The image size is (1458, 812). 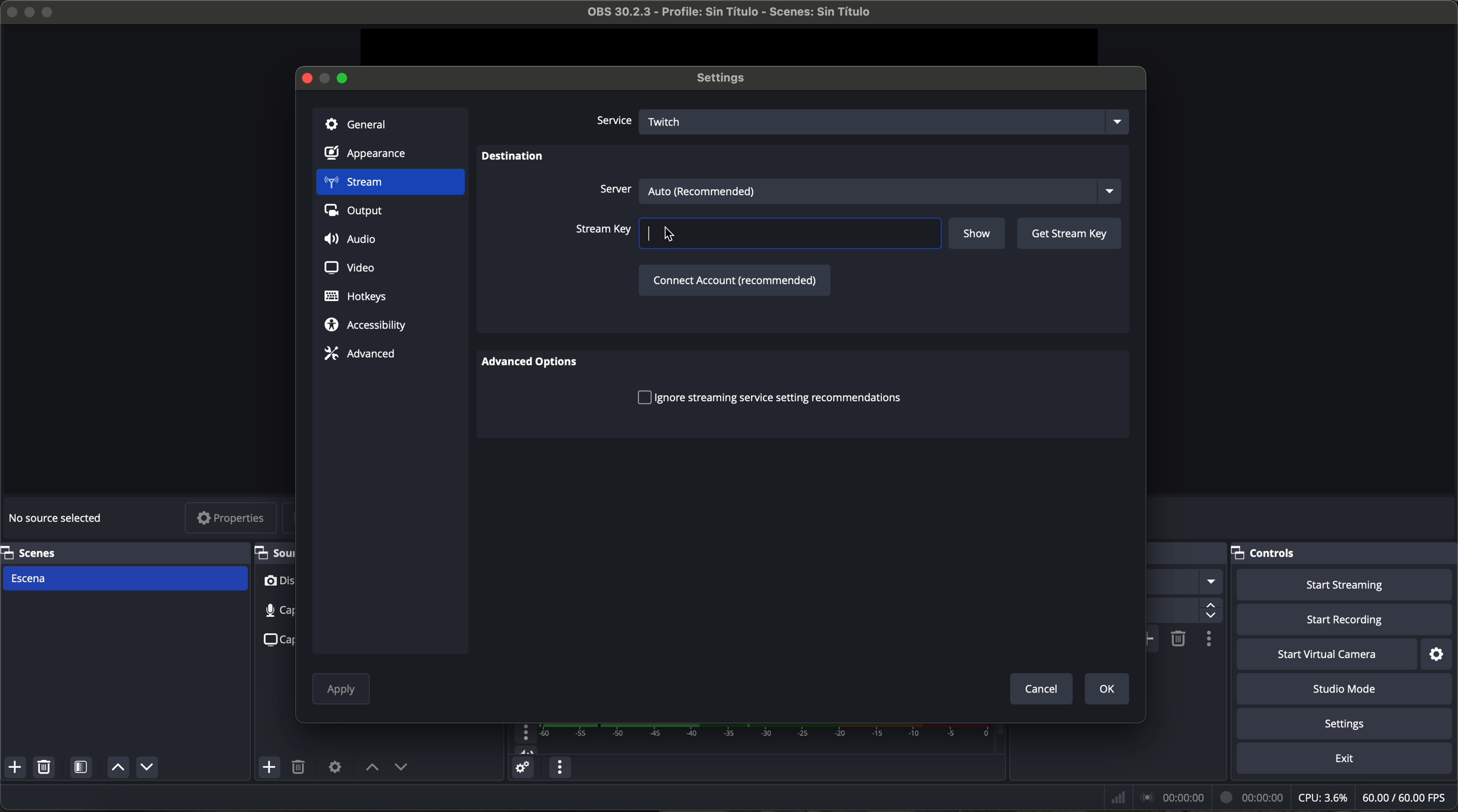 What do you see at coordinates (126, 578) in the screenshot?
I see `scene` at bounding box center [126, 578].